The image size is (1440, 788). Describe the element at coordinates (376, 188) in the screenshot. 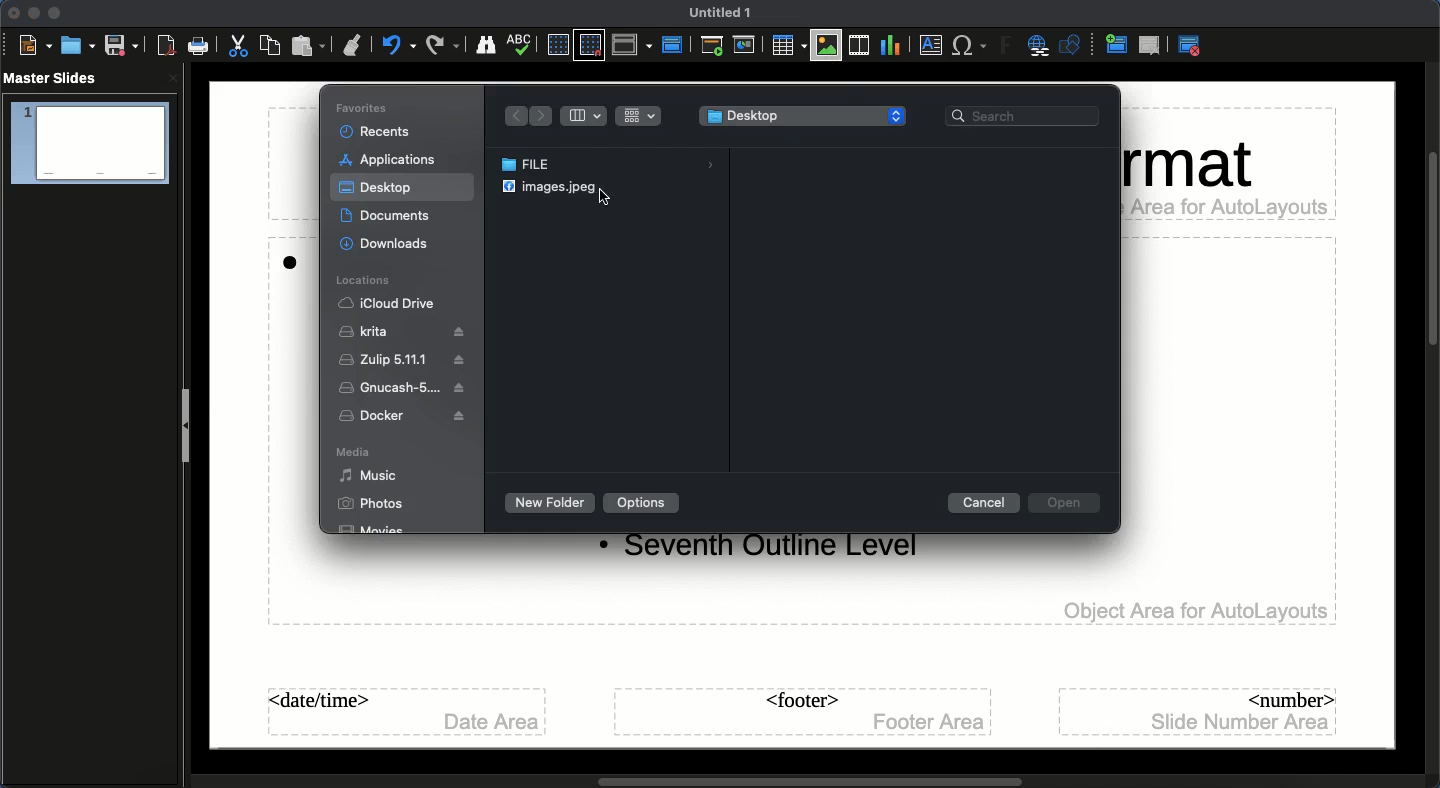

I see `Desktop` at that location.